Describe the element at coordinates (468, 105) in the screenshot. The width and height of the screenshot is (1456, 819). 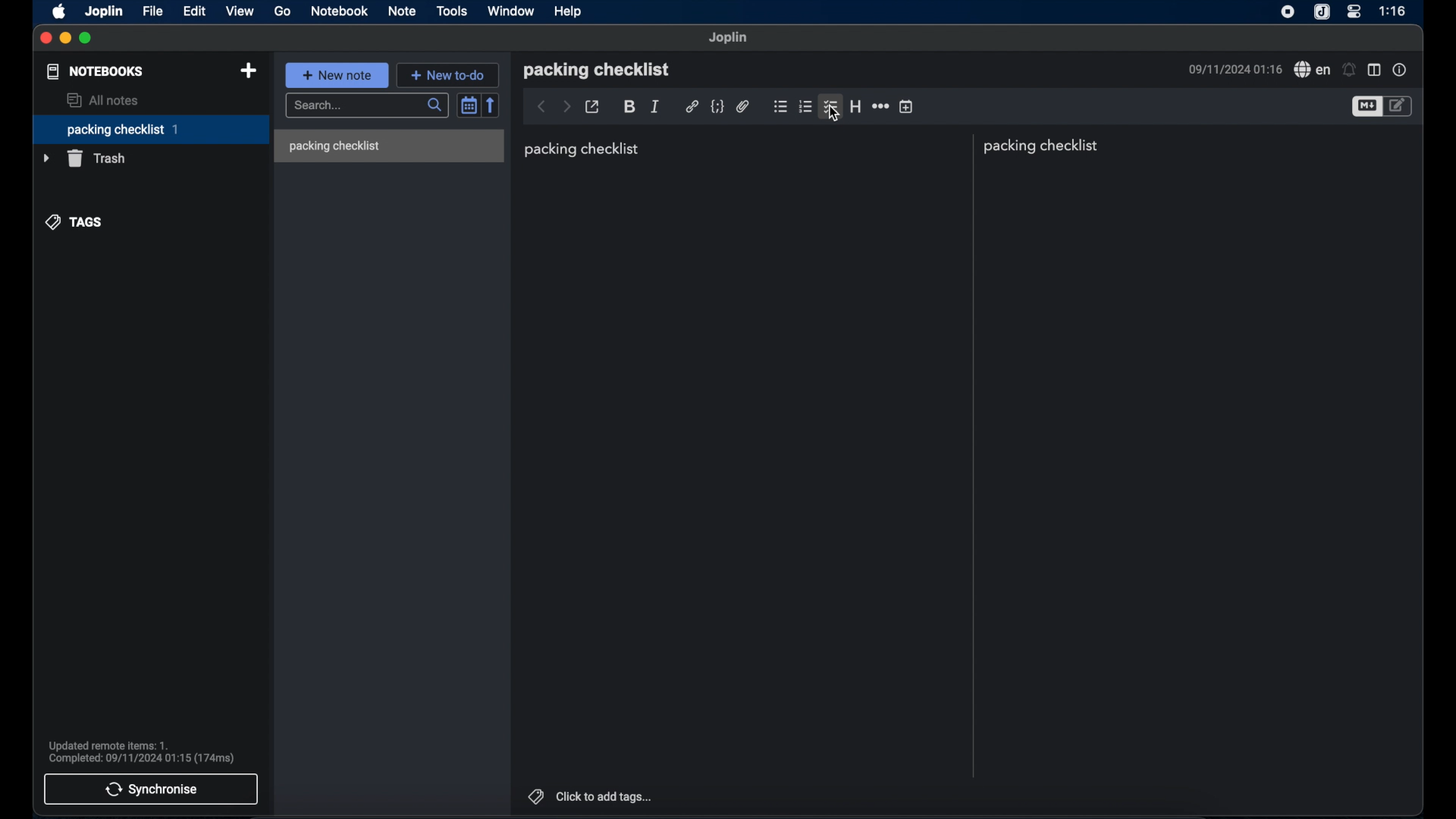
I see `toggle sort order field` at that location.